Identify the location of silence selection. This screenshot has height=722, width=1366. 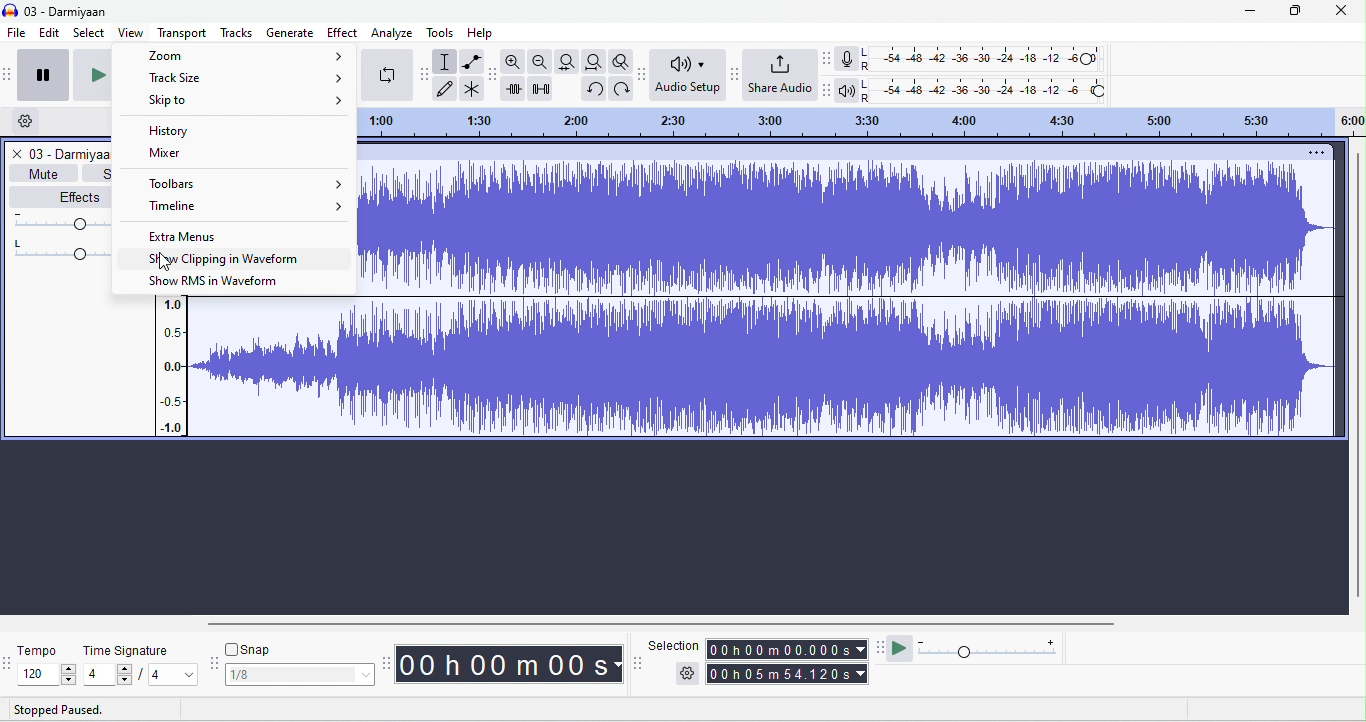
(544, 90).